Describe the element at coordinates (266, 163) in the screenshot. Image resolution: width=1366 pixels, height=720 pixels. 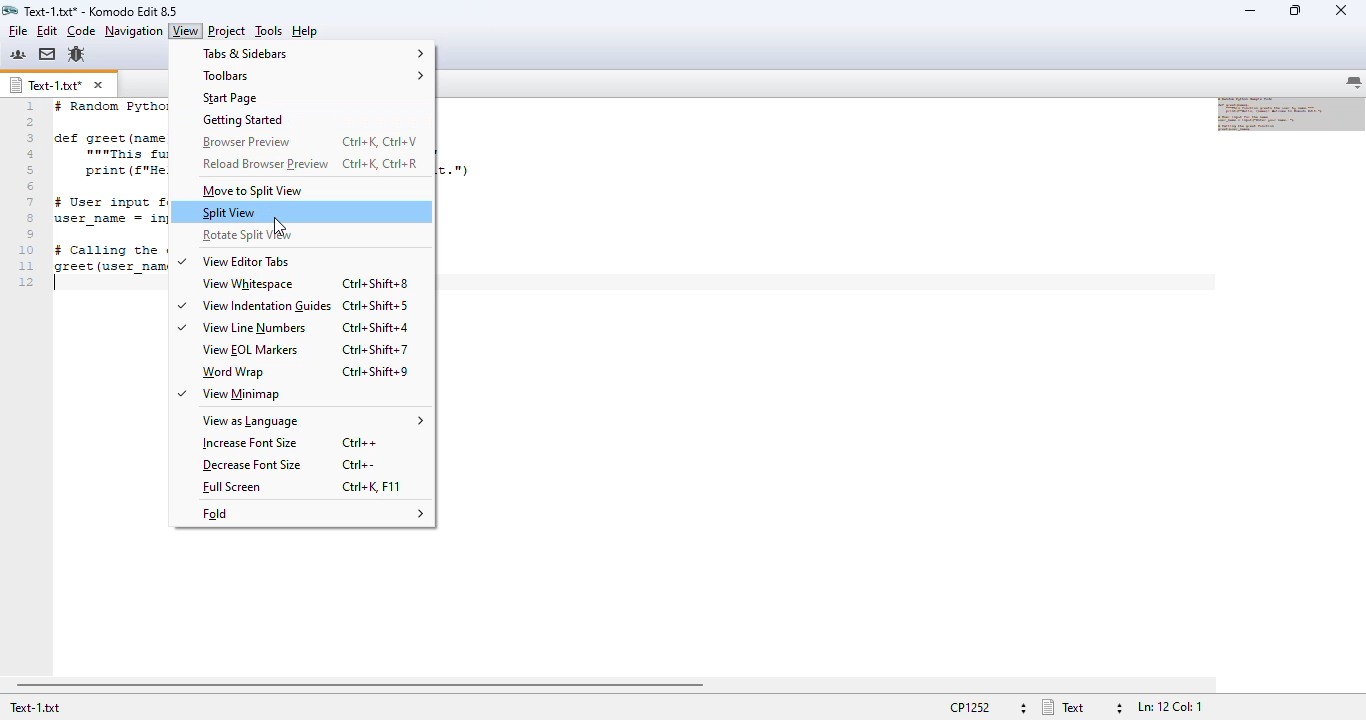
I see `reload browser preview` at that location.